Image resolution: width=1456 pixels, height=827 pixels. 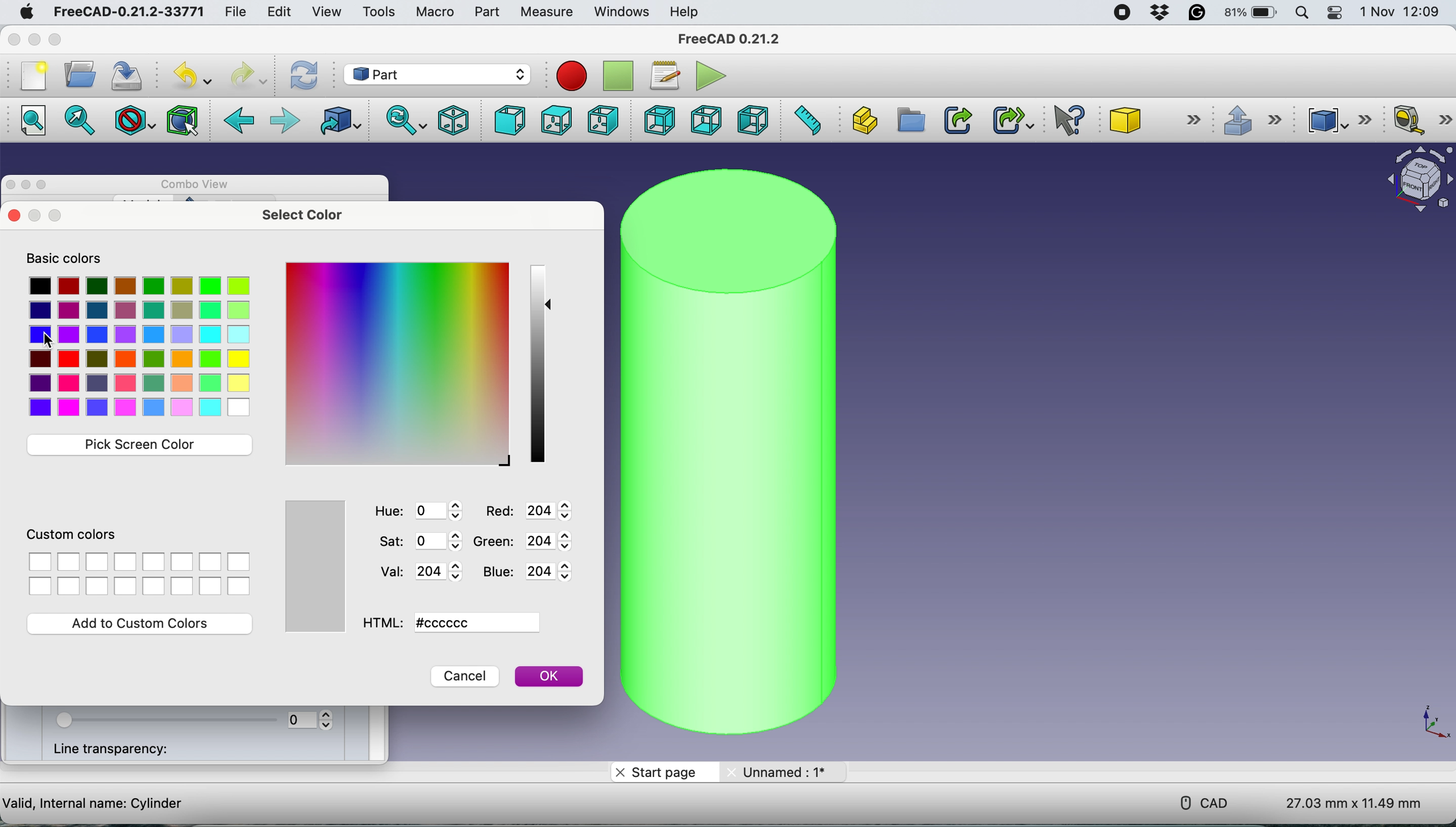 What do you see at coordinates (602, 120) in the screenshot?
I see `right` at bounding box center [602, 120].